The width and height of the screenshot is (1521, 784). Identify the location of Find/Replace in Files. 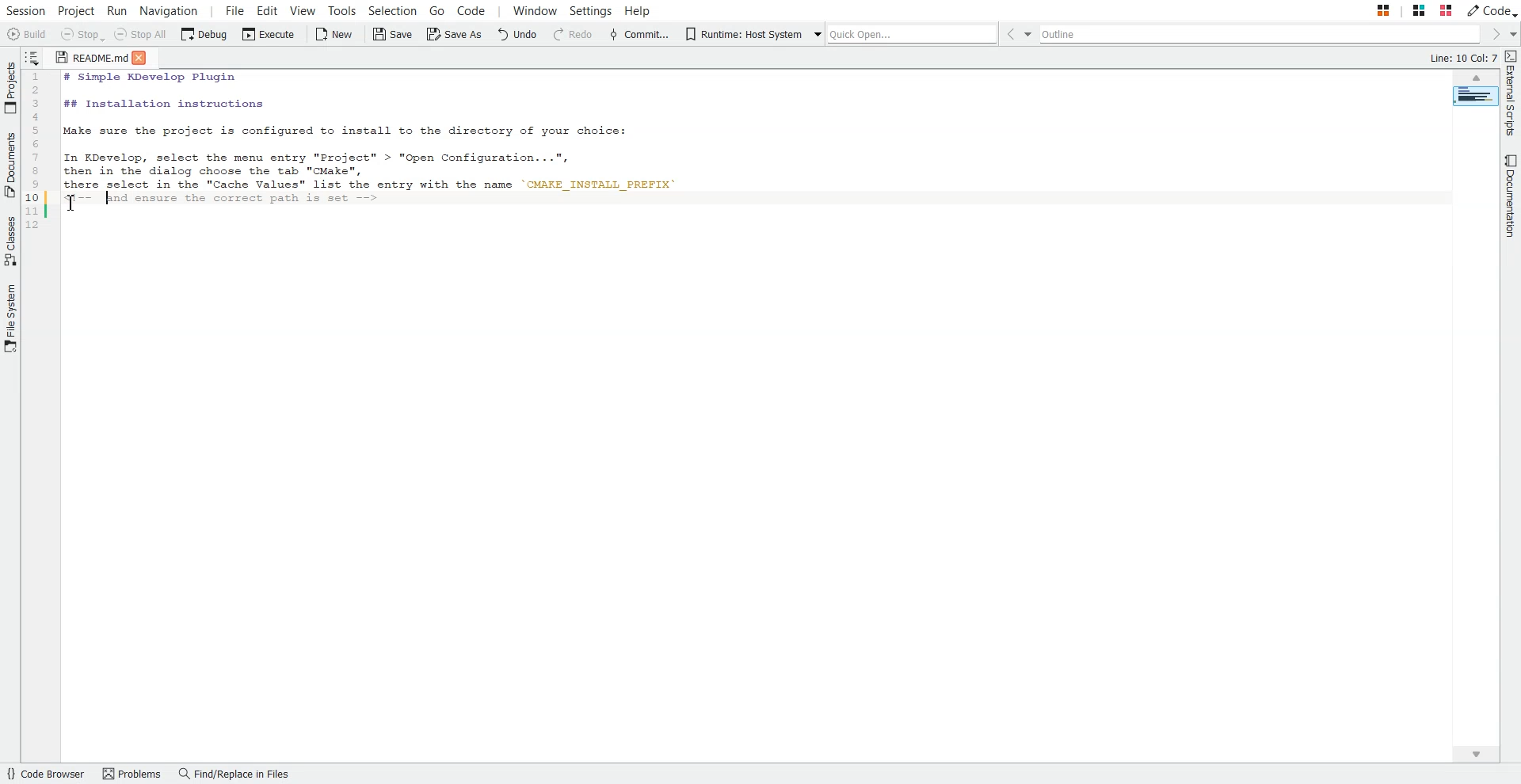
(235, 774).